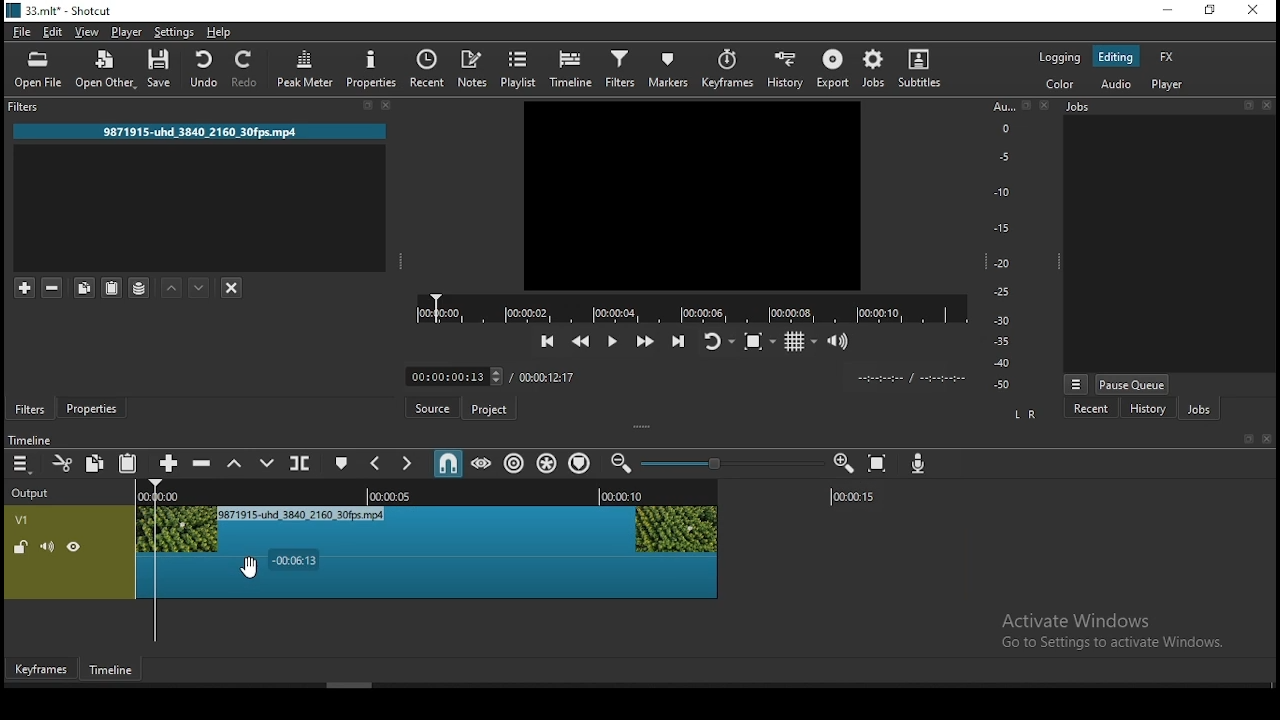 The height and width of the screenshot is (720, 1280). Describe the element at coordinates (1167, 57) in the screenshot. I see `fx` at that location.